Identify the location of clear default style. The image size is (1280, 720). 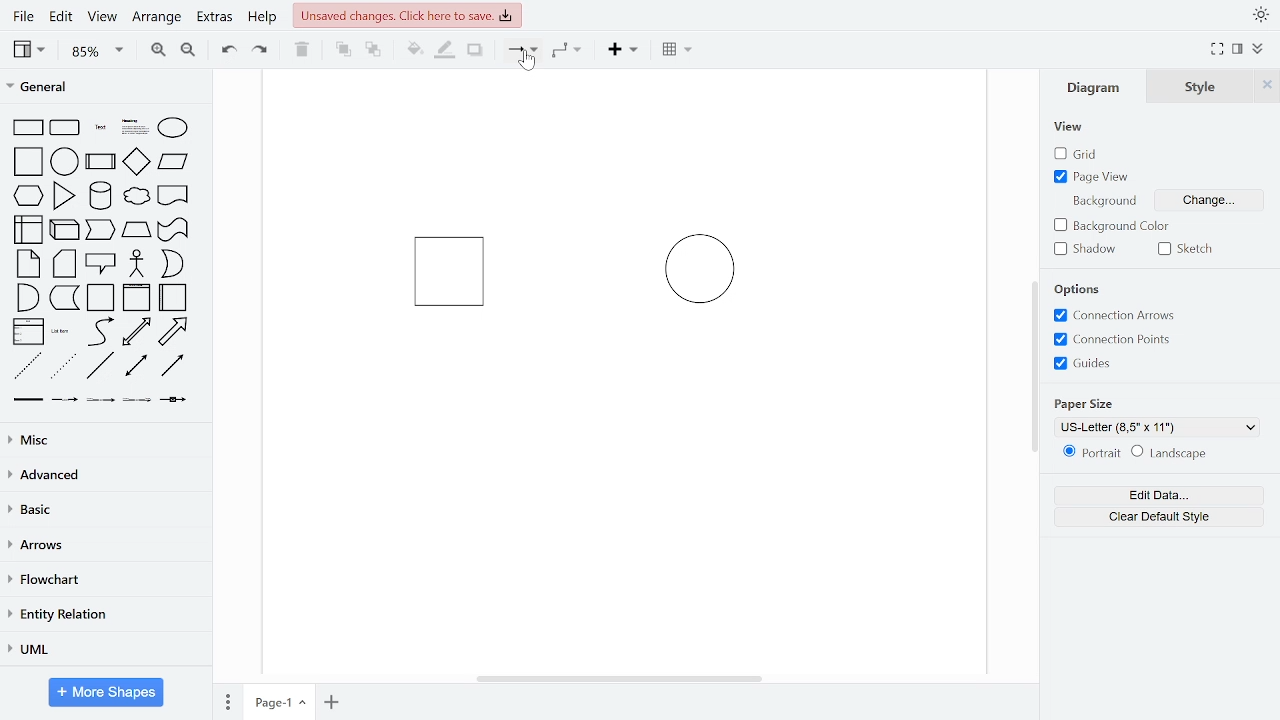
(1169, 454).